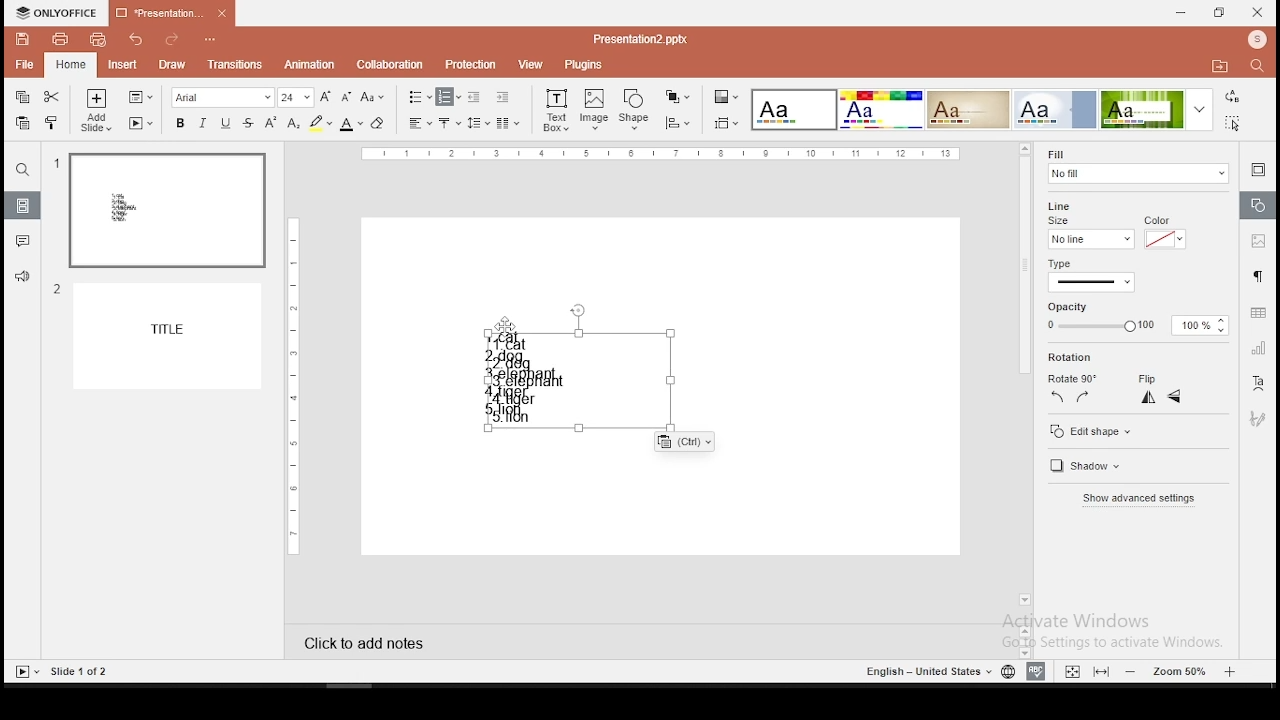 This screenshot has width=1280, height=720. Describe the element at coordinates (1089, 239) in the screenshot. I see `line size` at that location.